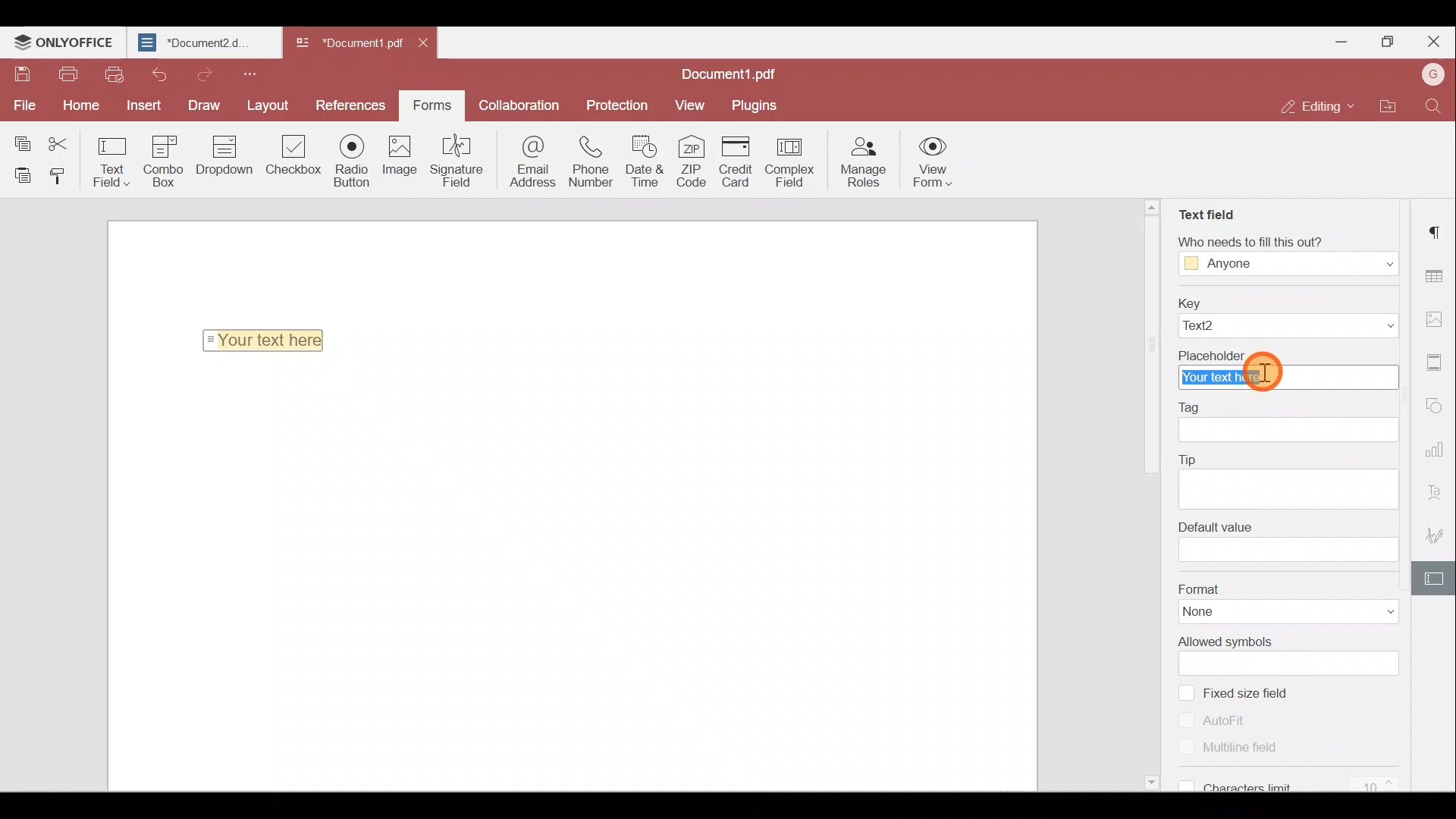 This screenshot has height=819, width=1456. I want to click on ZIP Code, so click(695, 164).